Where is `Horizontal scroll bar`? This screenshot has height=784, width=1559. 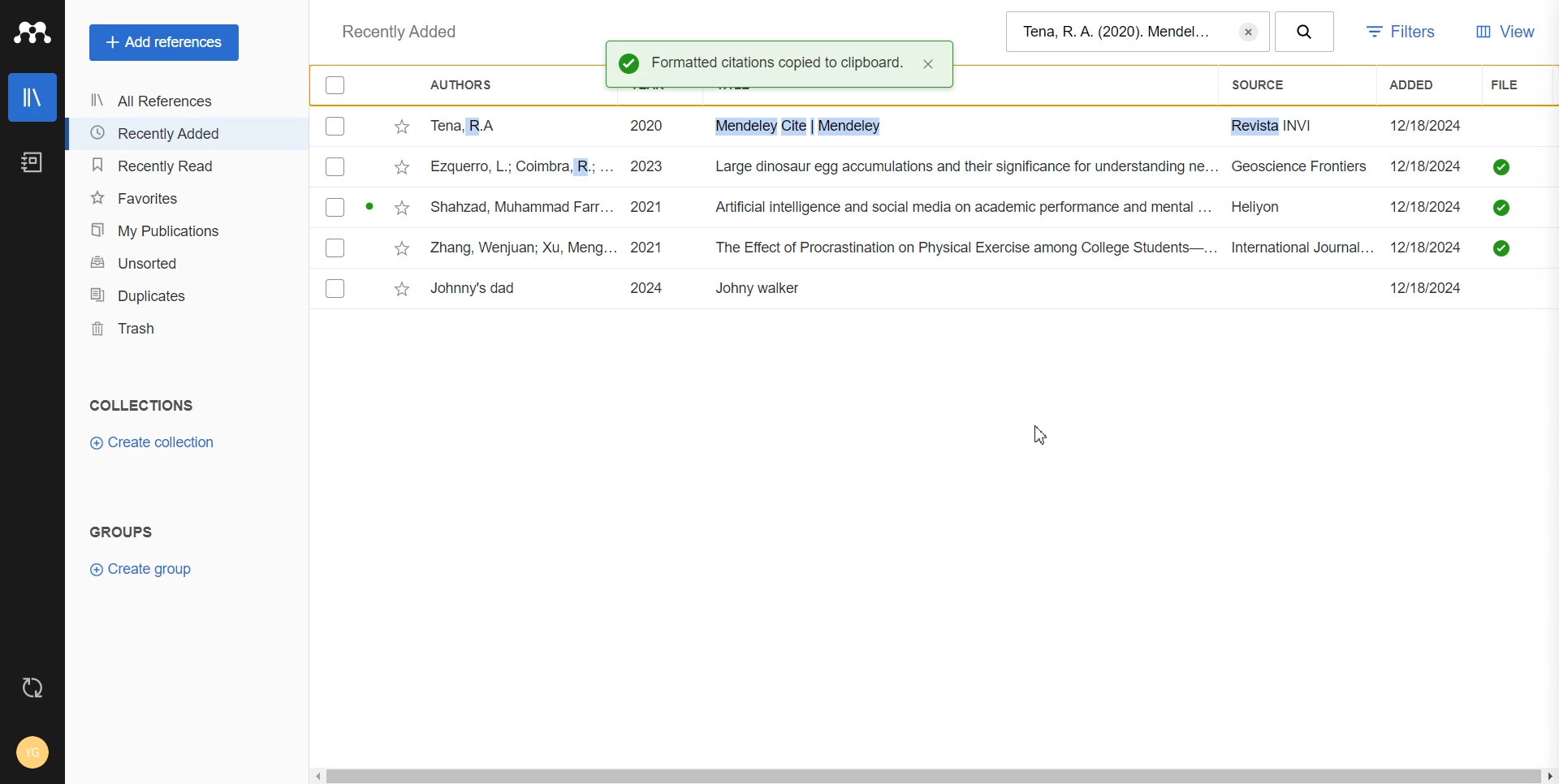 Horizontal scroll bar is located at coordinates (934, 777).